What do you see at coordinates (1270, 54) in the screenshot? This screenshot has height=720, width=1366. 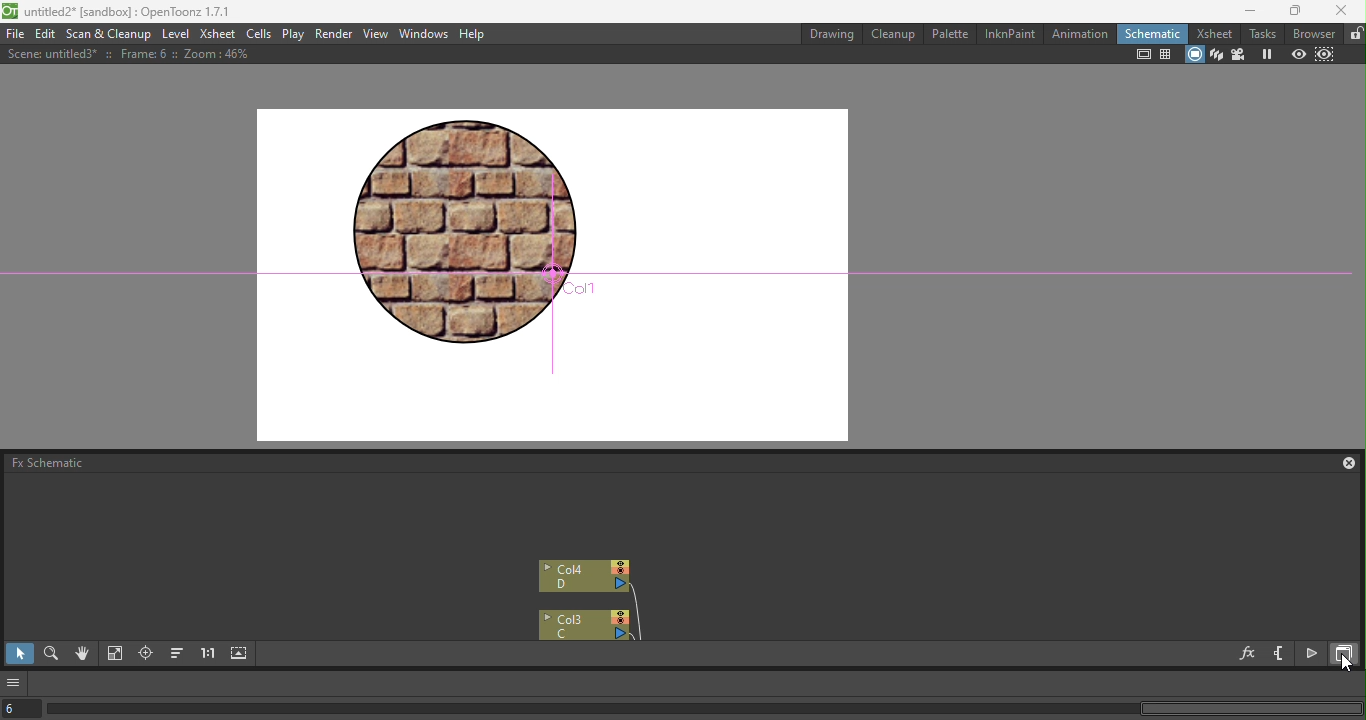 I see `Freeze` at bounding box center [1270, 54].